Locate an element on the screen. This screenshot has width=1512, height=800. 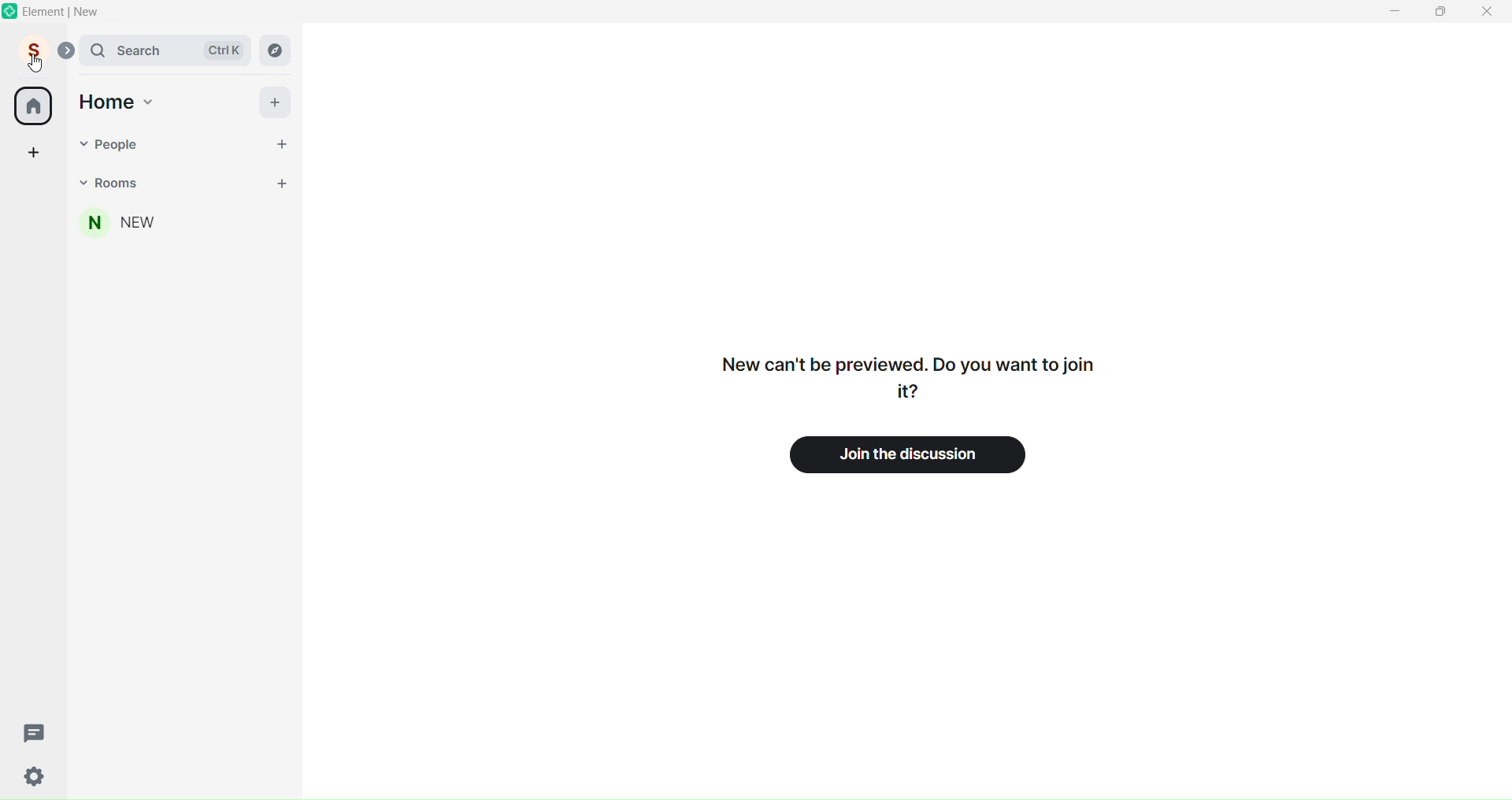
Home dropdown is located at coordinates (150, 100).